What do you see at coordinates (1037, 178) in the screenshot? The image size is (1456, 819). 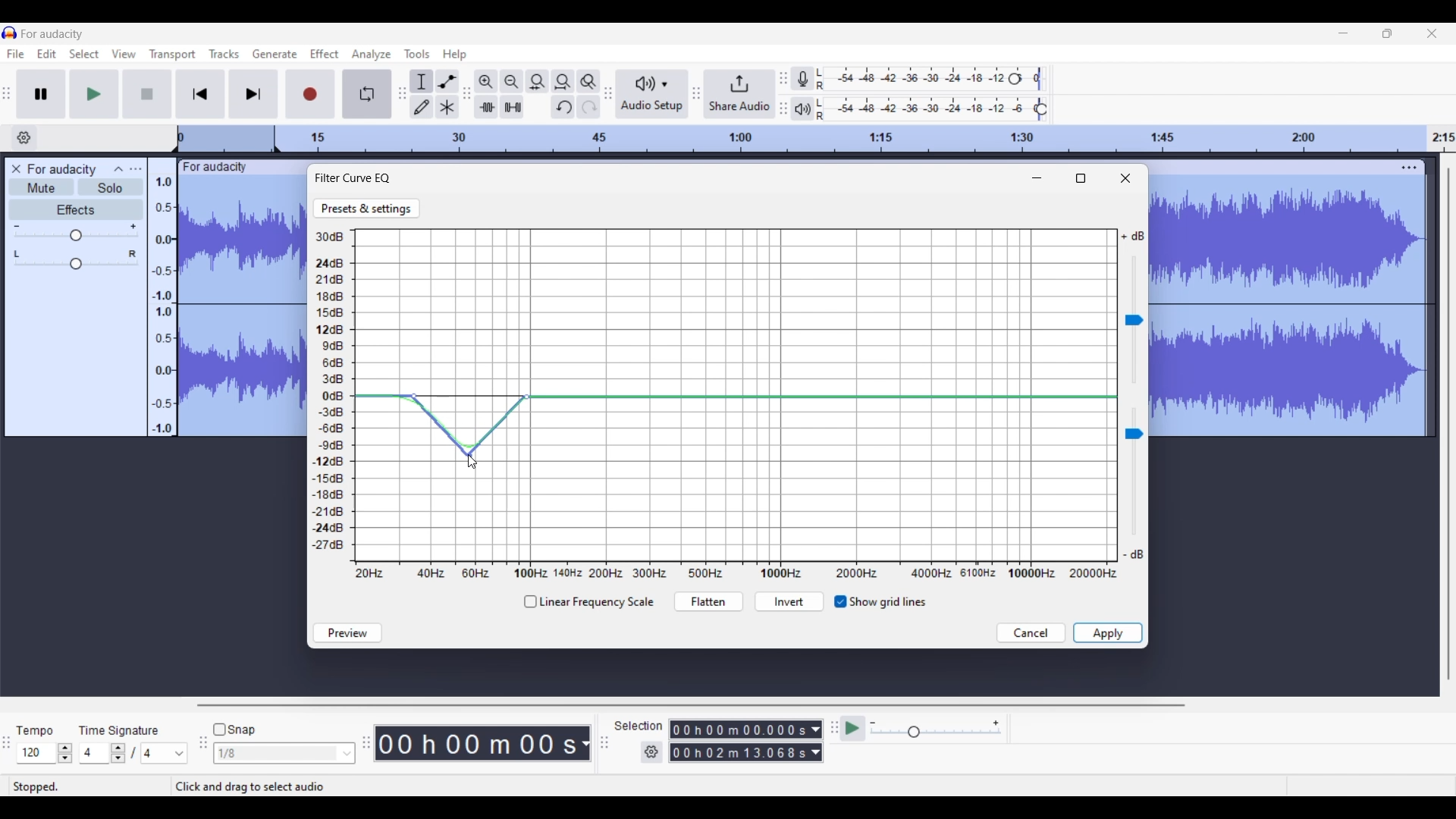 I see `Minimize` at bounding box center [1037, 178].